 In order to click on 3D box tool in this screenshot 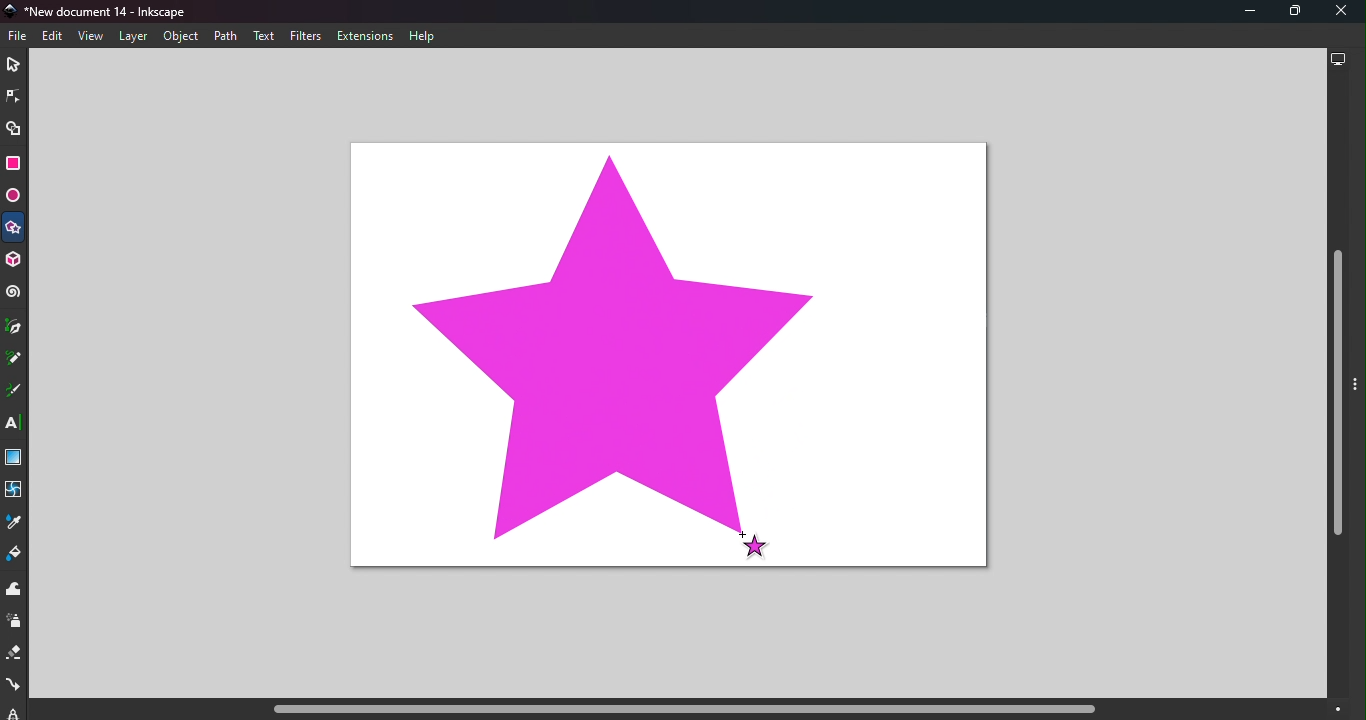, I will do `click(16, 260)`.